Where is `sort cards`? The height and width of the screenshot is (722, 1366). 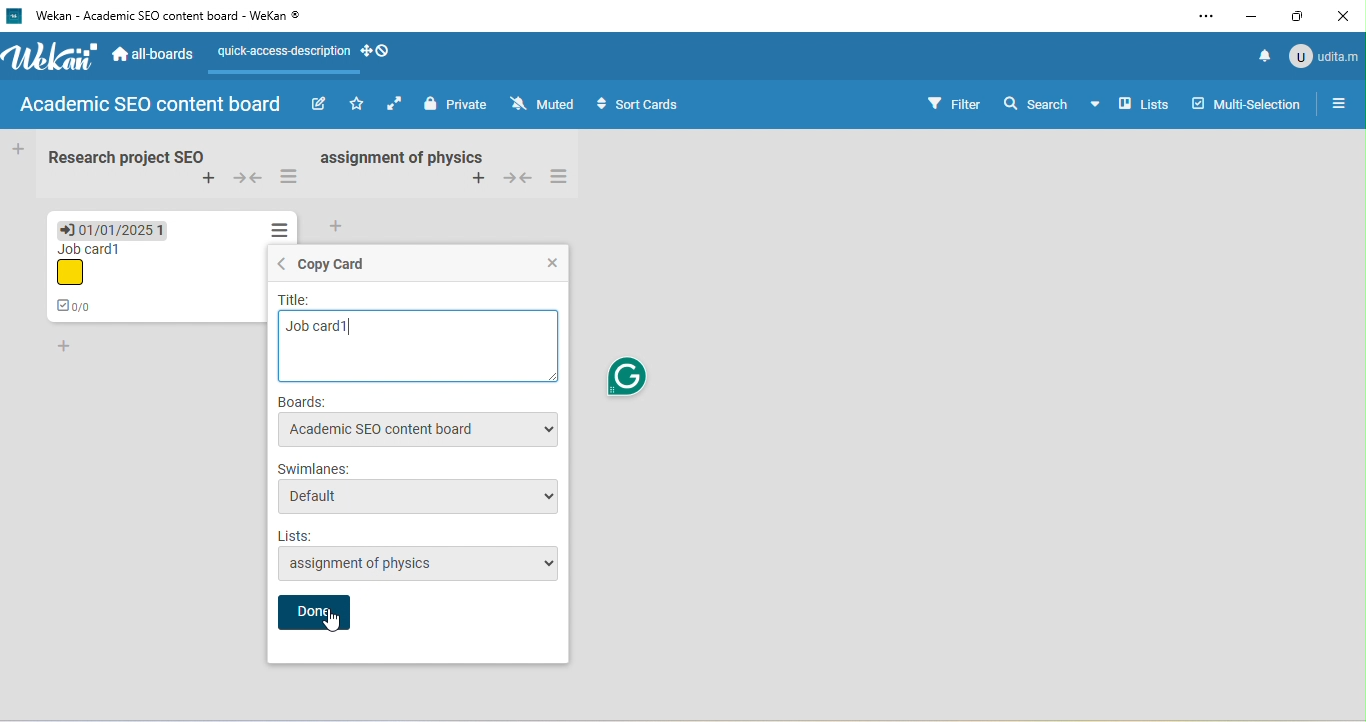 sort cards is located at coordinates (644, 107).